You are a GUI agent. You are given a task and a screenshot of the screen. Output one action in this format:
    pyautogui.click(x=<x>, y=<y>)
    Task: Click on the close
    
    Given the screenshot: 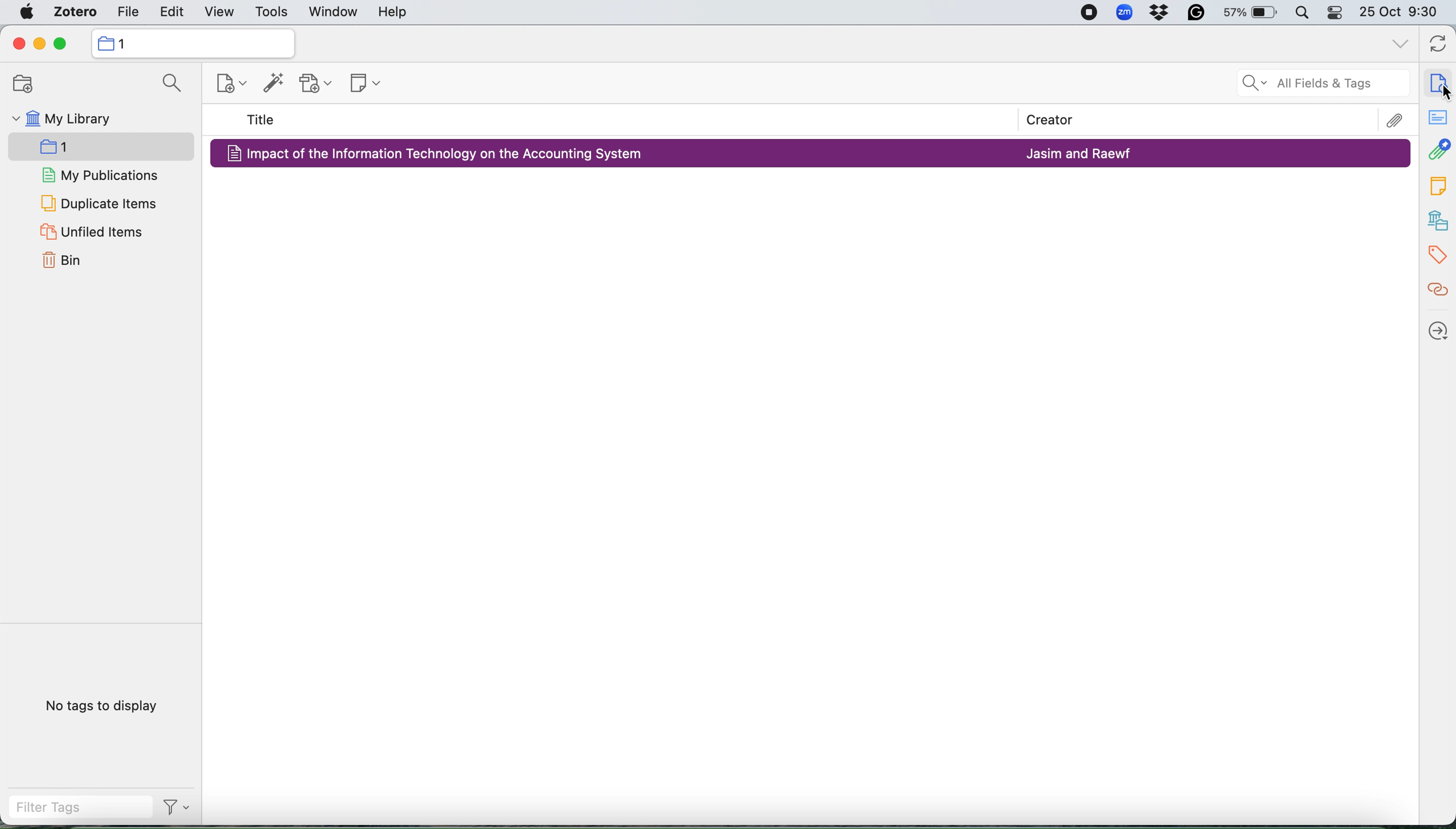 What is the action you would take?
    pyautogui.click(x=15, y=44)
    